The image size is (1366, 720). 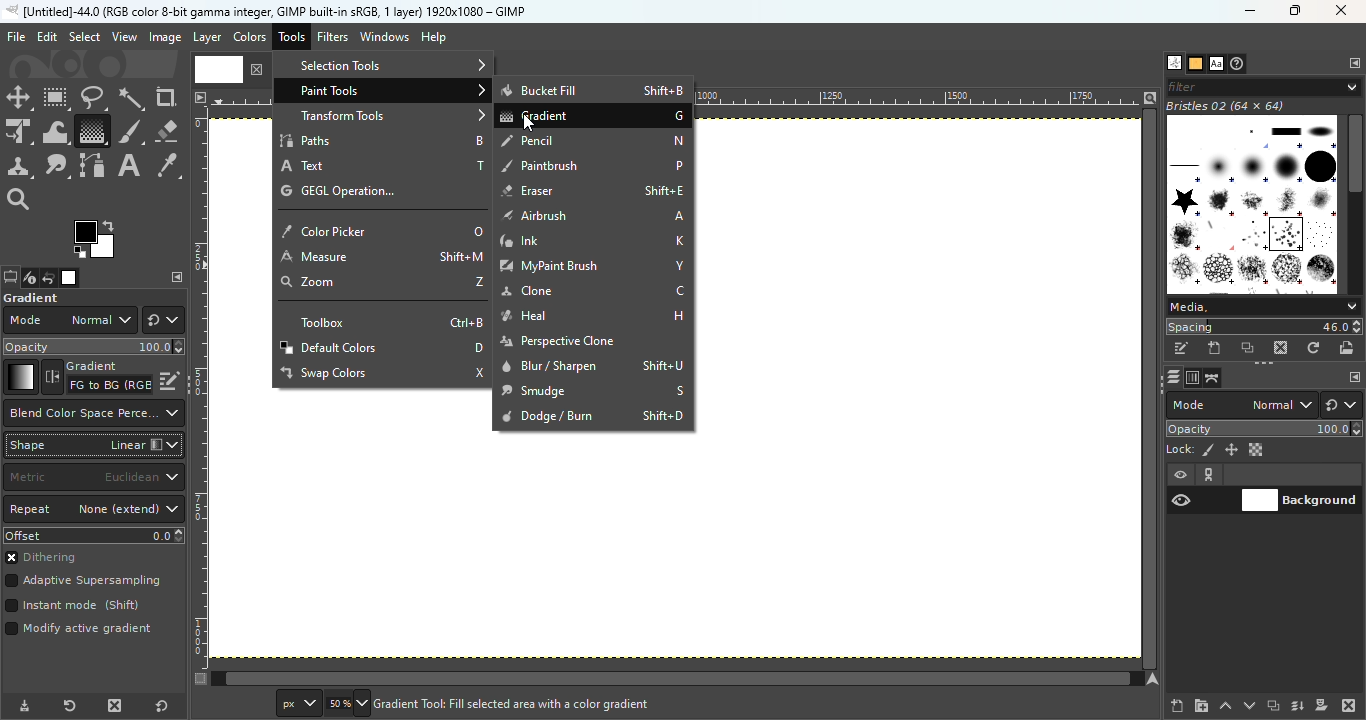 What do you see at coordinates (1171, 377) in the screenshot?
I see `Open the layers dialog` at bounding box center [1171, 377].